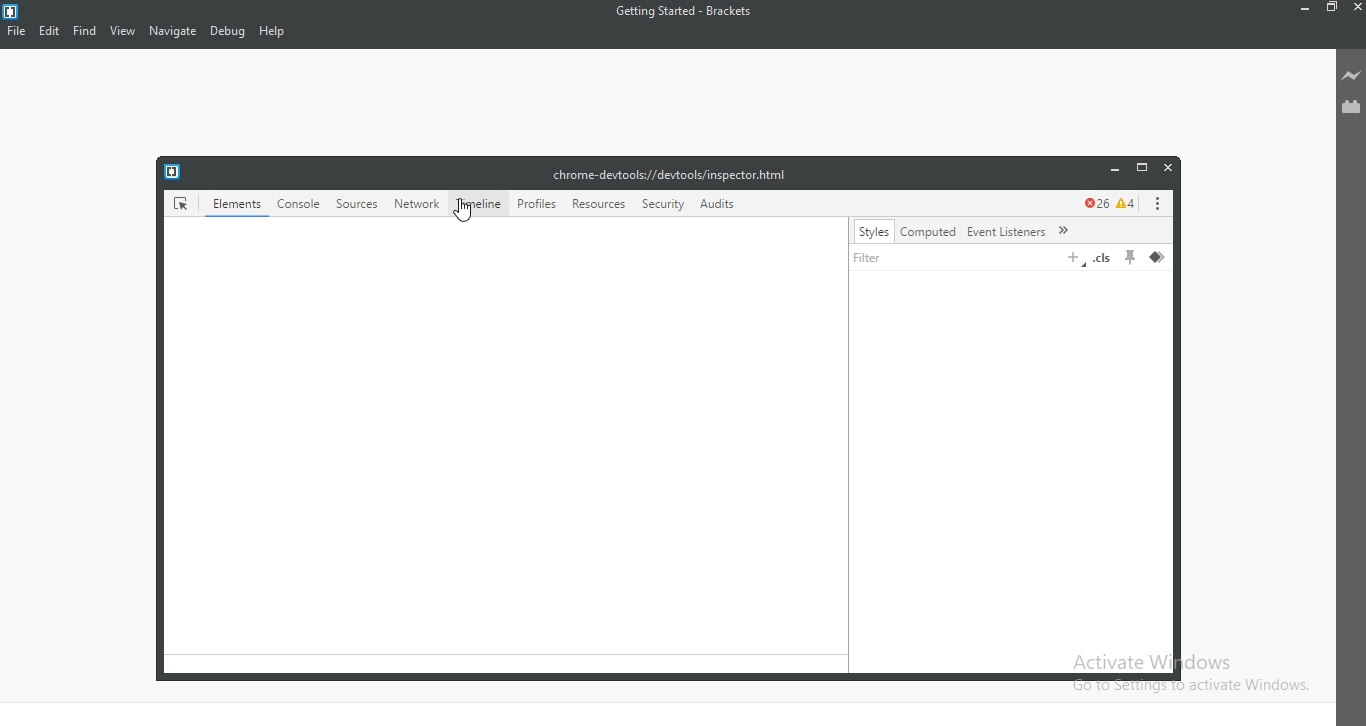  What do you see at coordinates (466, 211) in the screenshot?
I see `cursor on Timeline` at bounding box center [466, 211].